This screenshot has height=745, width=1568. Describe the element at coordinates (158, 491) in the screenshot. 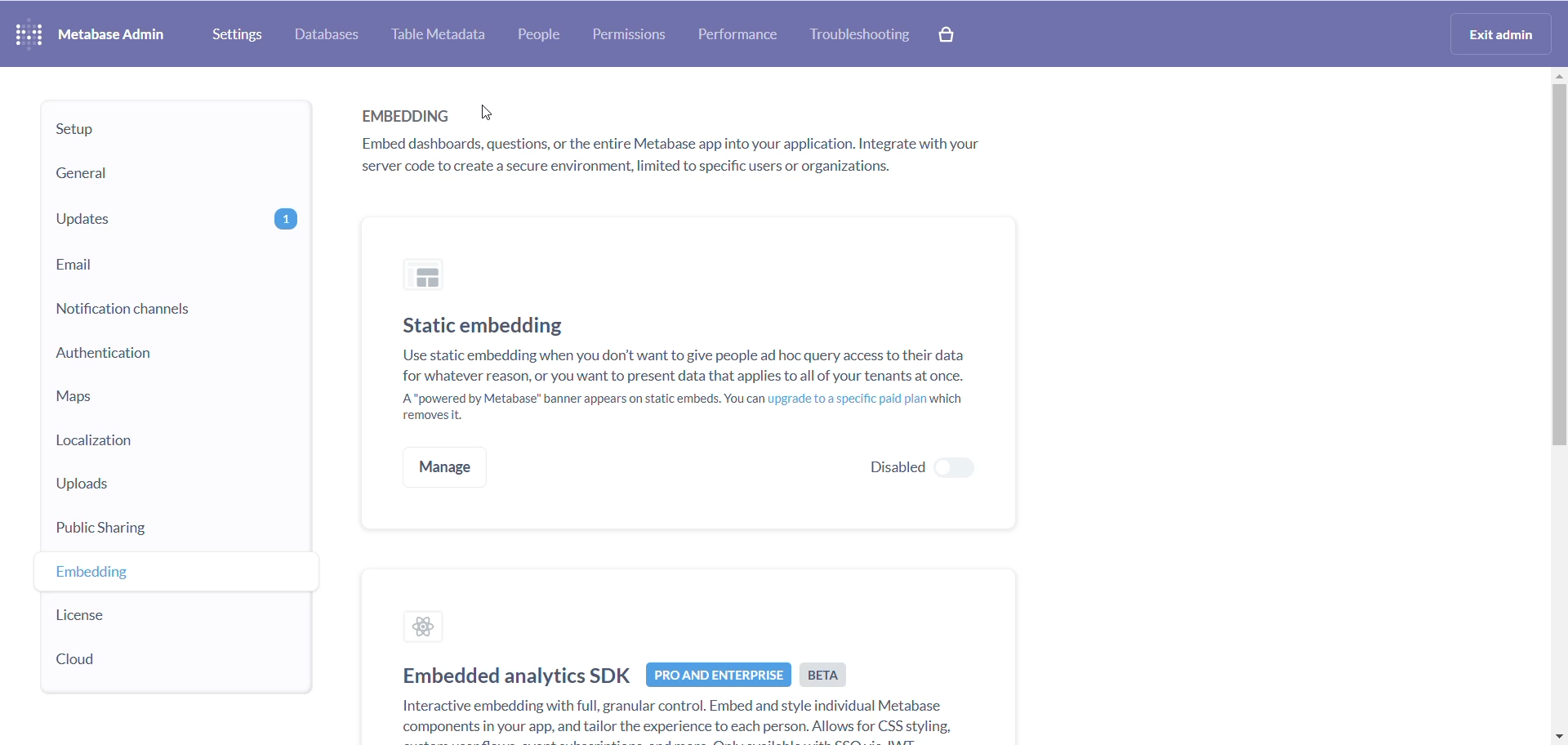

I see `uploads` at that location.